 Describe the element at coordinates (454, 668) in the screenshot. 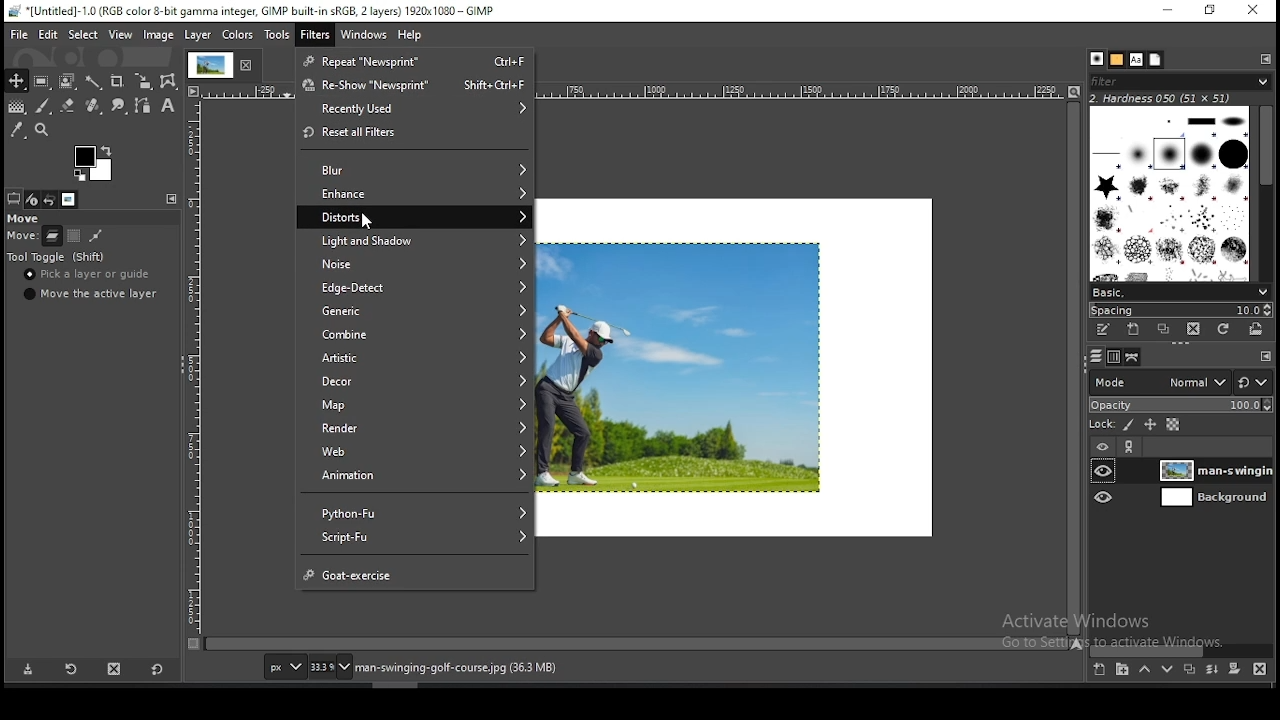

I see `man-swinging-golf-course.jpg (36.3 MB)` at that location.